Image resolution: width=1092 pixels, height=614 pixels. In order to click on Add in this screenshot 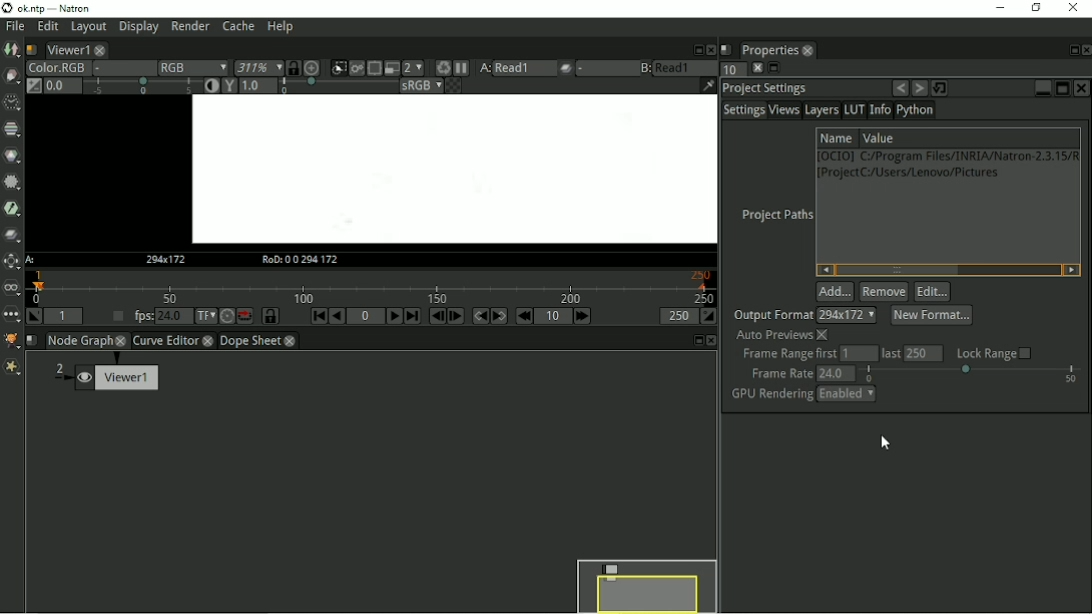, I will do `click(834, 291)`.